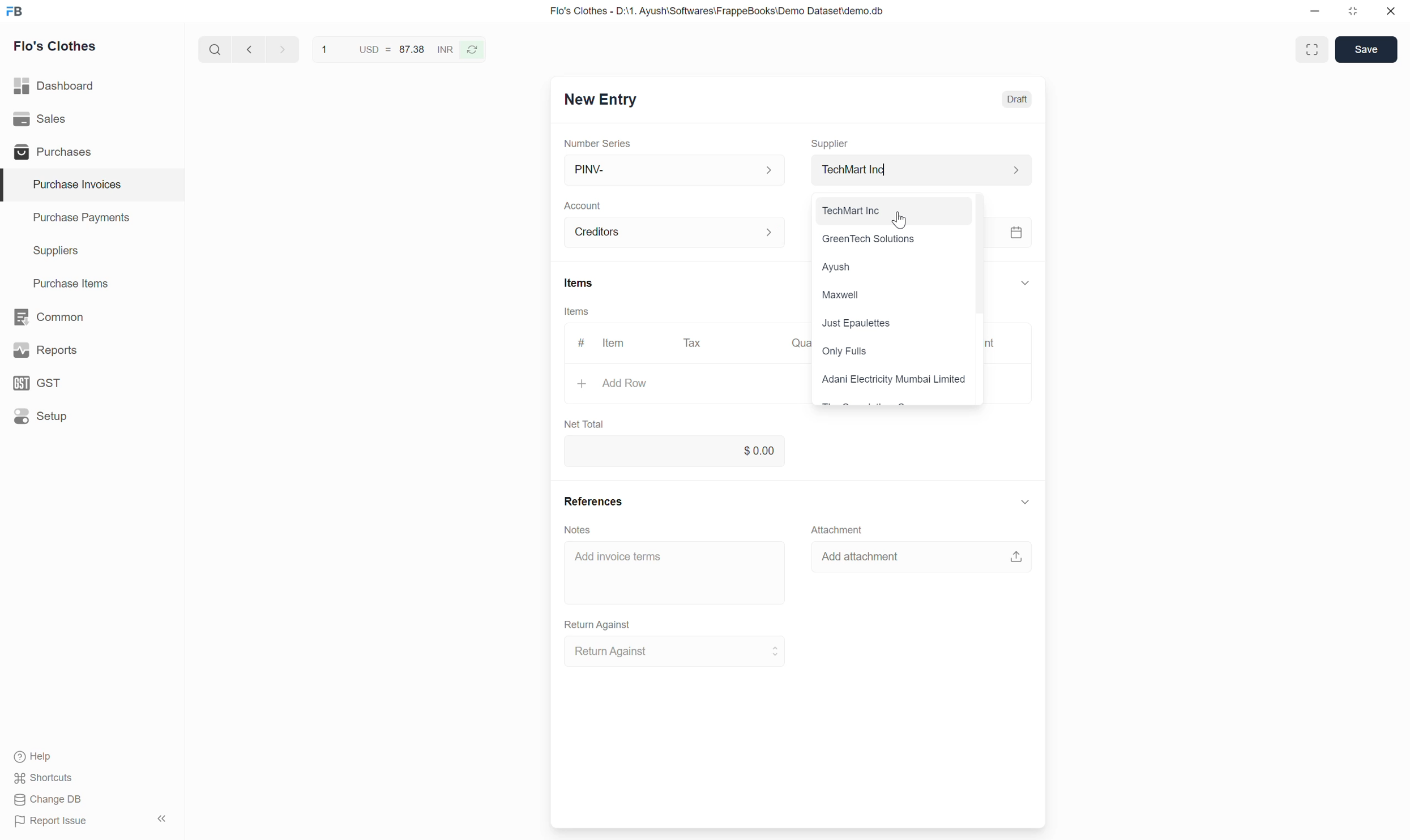 The width and height of the screenshot is (1410, 840). Describe the element at coordinates (46, 758) in the screenshot. I see ` Help` at that location.